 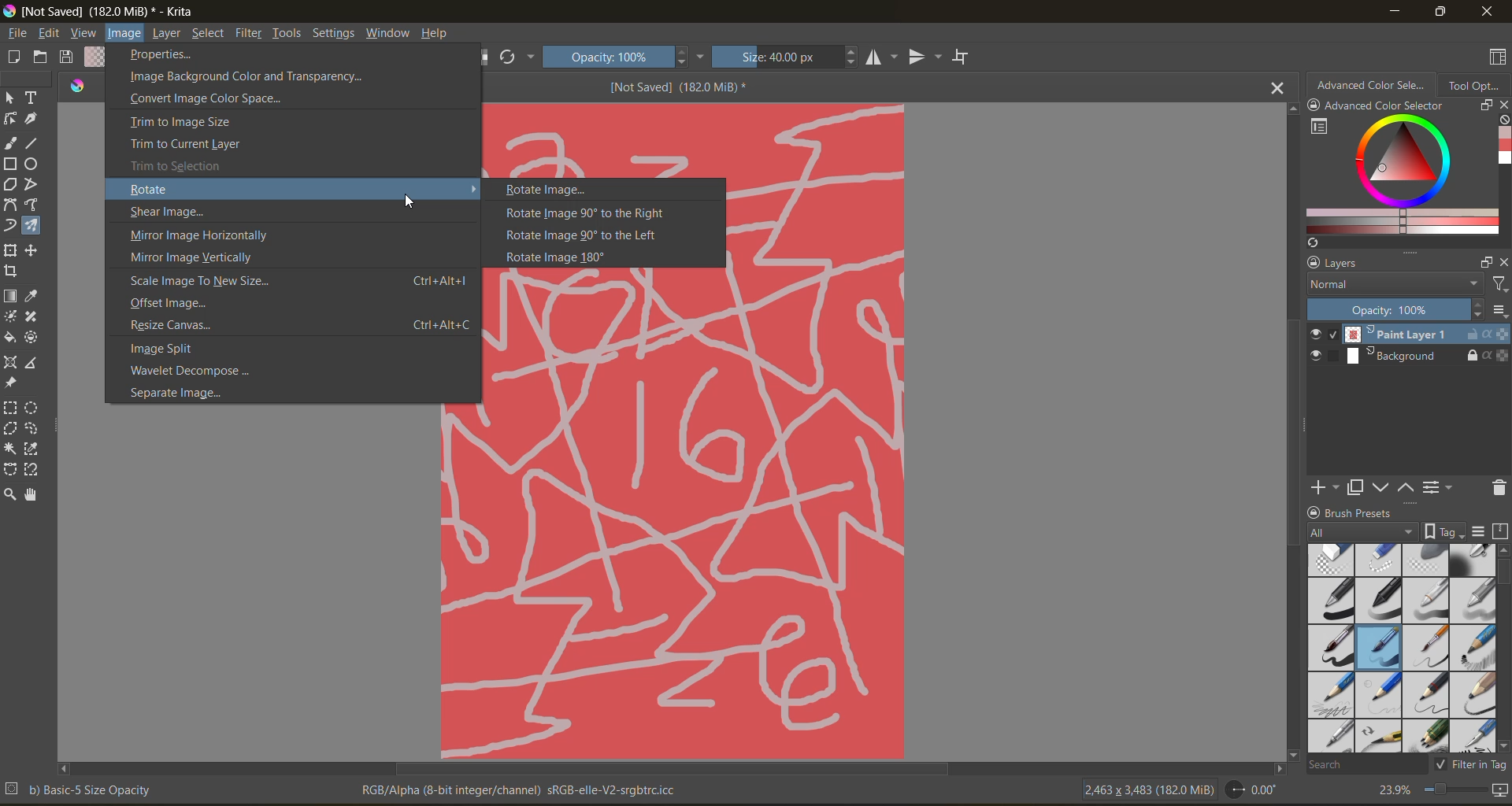 I want to click on image metadata, so click(x=1151, y=789).